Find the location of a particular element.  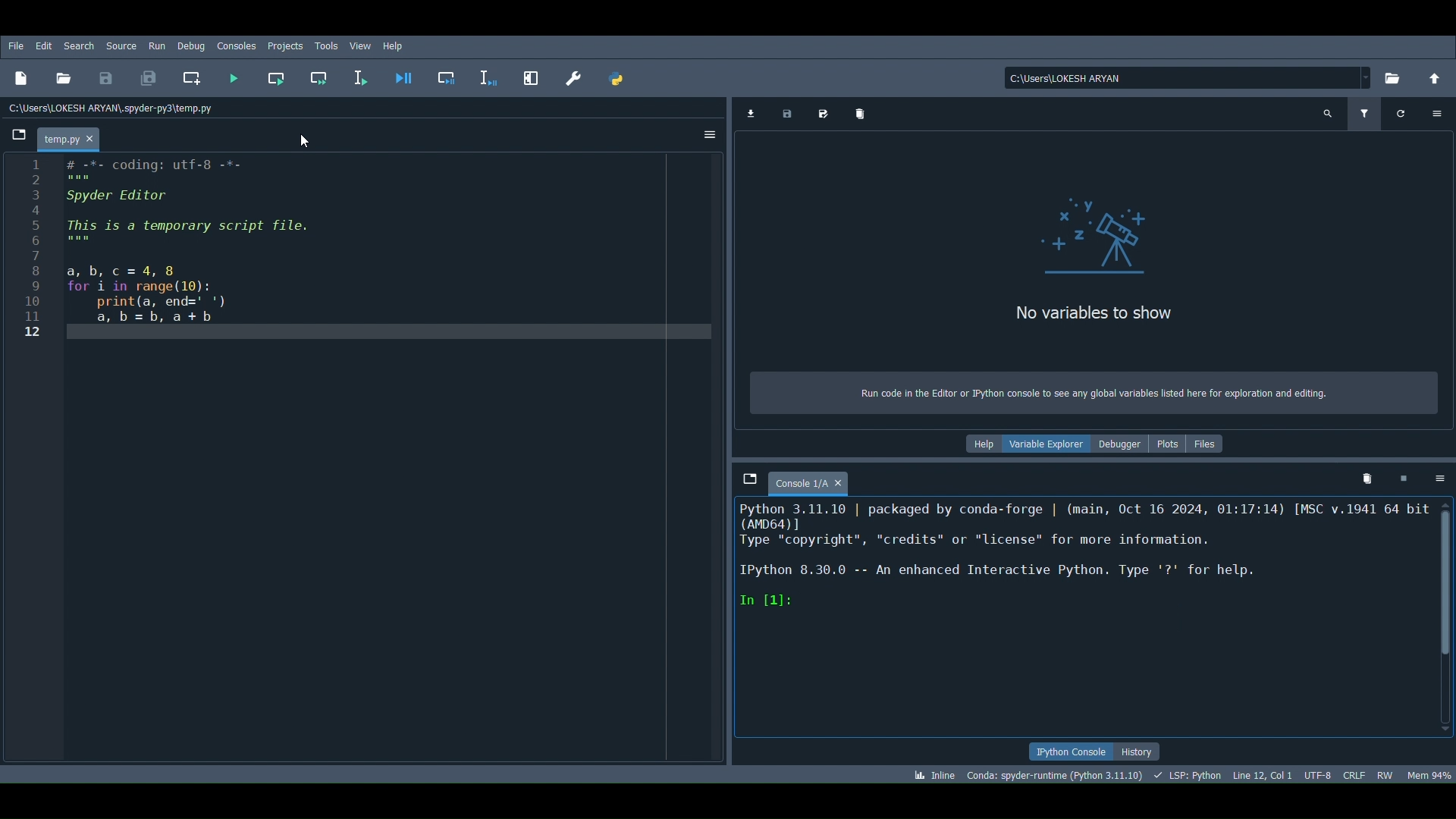

Options is located at coordinates (1437, 111).